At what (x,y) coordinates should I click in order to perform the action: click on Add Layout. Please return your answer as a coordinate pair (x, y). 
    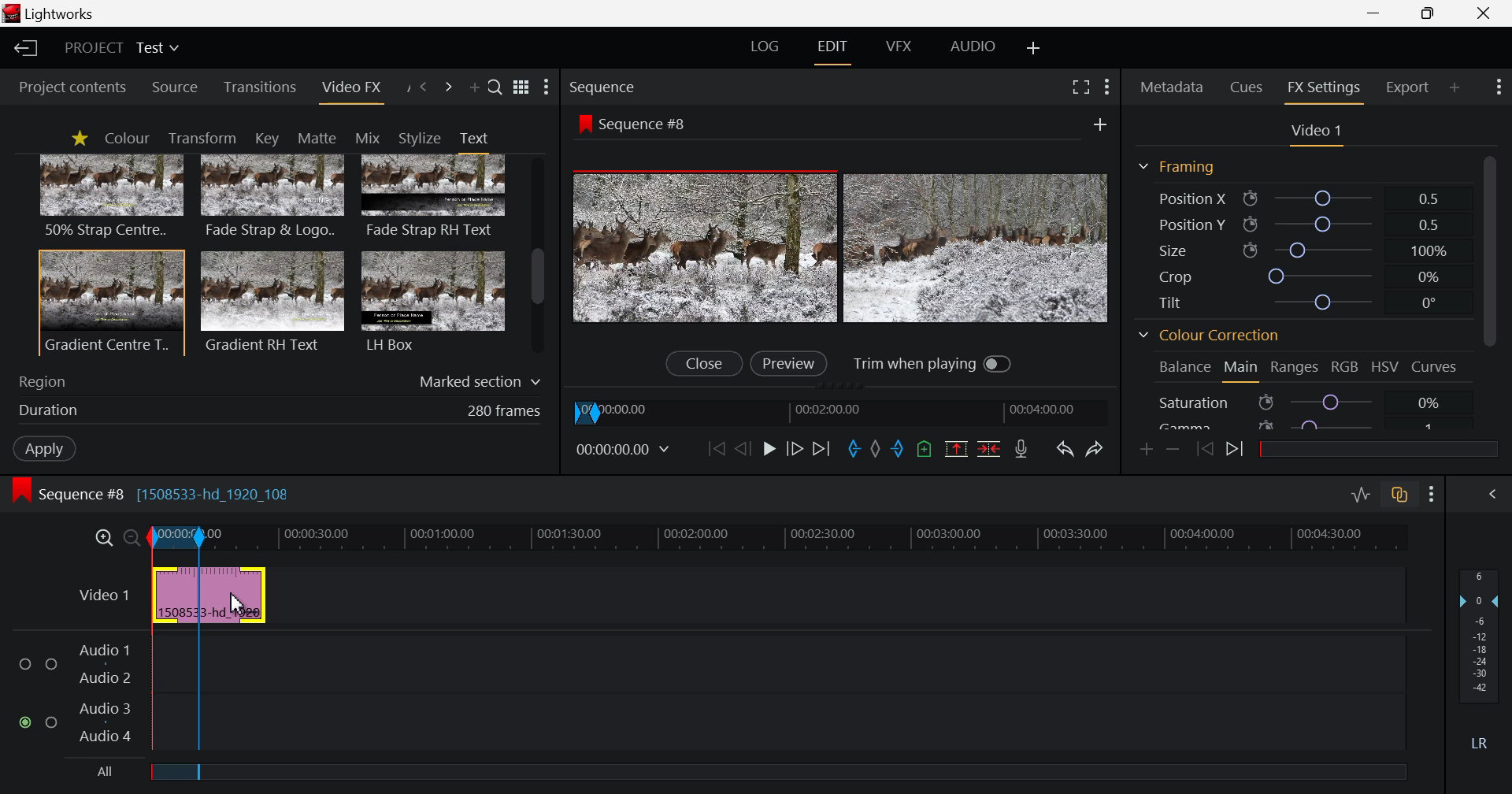
    Looking at the image, I should click on (1035, 47).